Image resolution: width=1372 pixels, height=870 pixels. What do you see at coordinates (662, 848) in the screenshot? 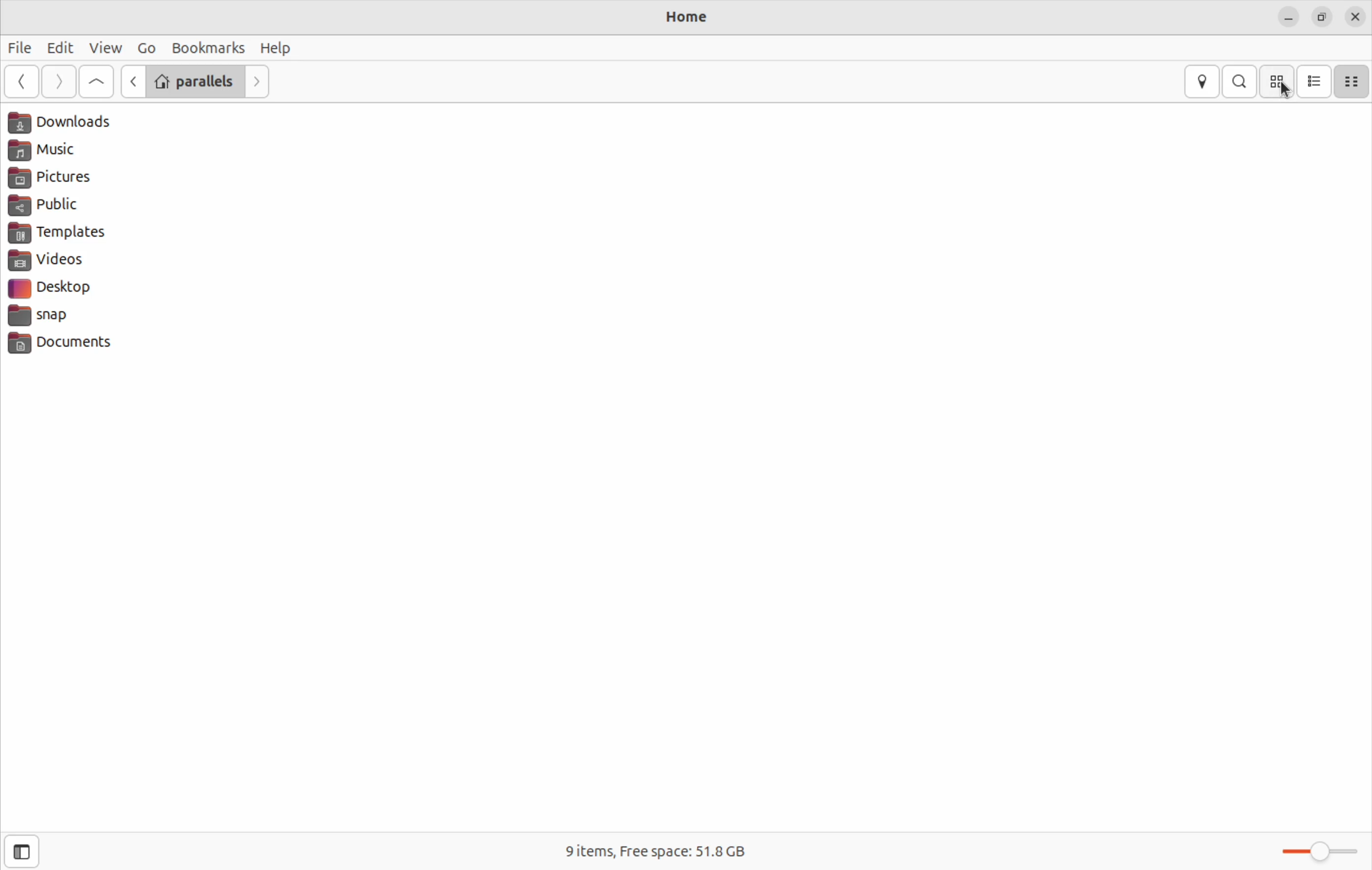
I see `9 items free space 51.8 Gb` at bounding box center [662, 848].